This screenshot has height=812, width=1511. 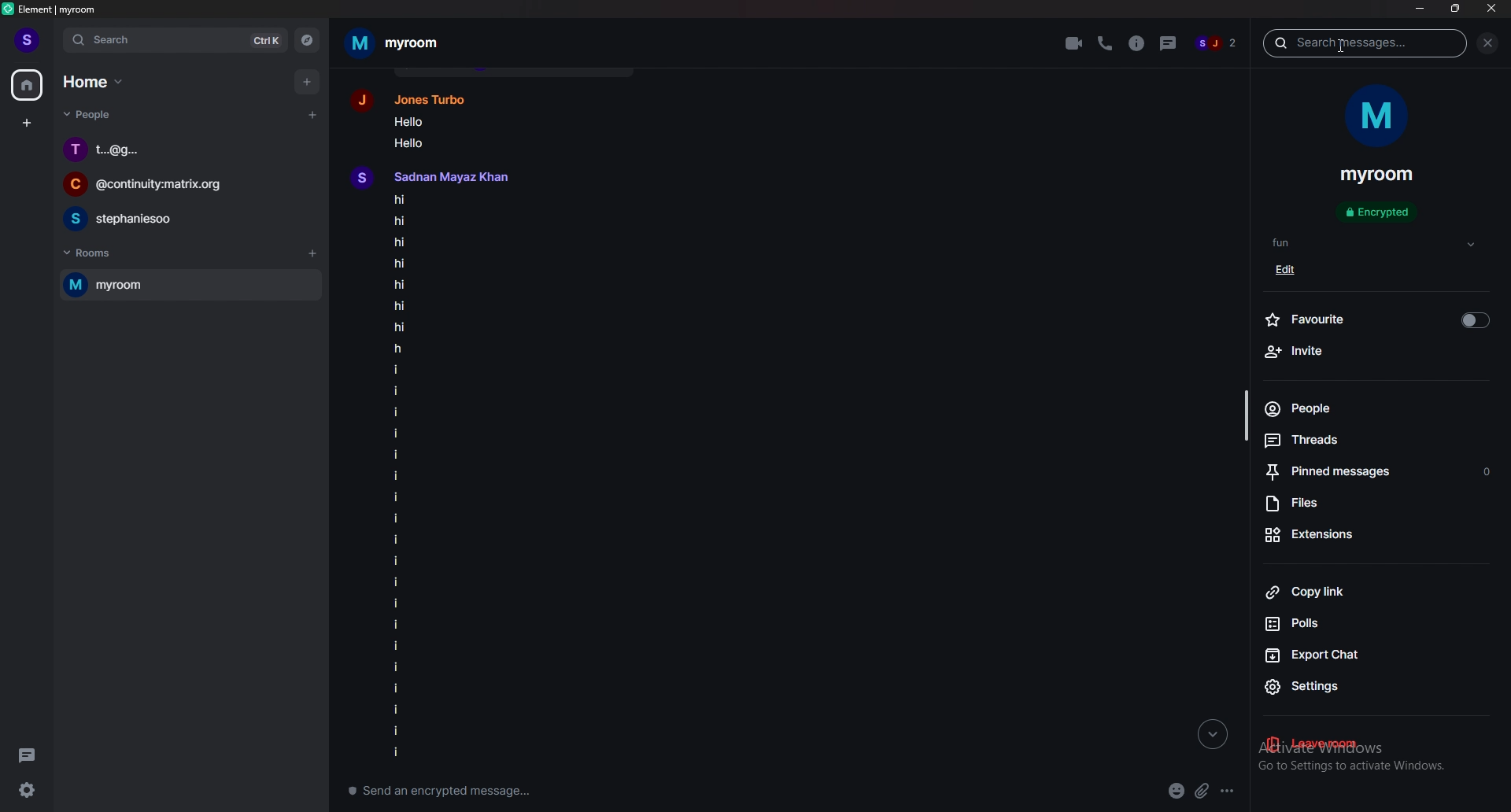 I want to click on tags, so click(x=1374, y=244).